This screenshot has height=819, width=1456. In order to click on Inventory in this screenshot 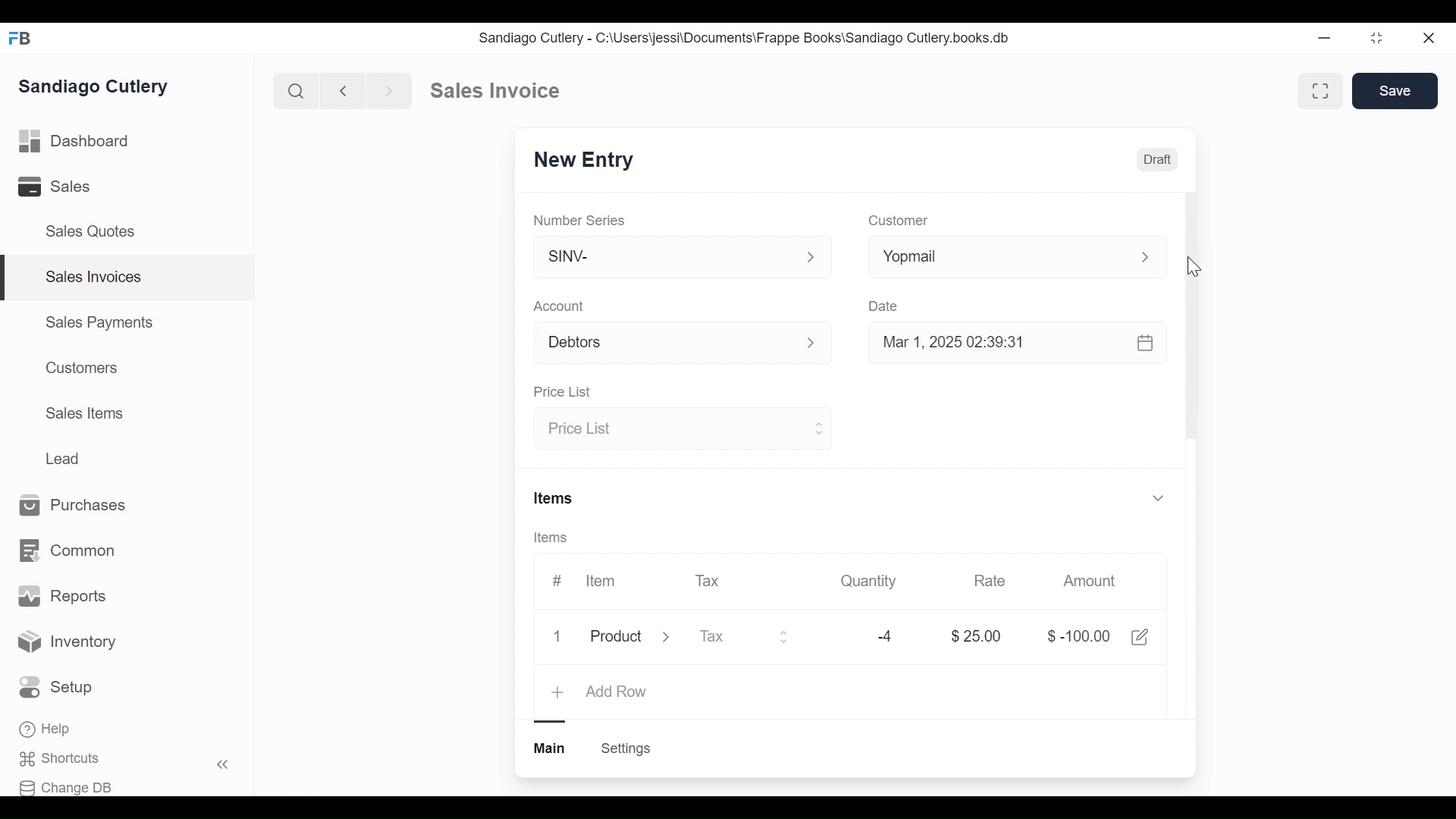, I will do `click(65, 639)`.